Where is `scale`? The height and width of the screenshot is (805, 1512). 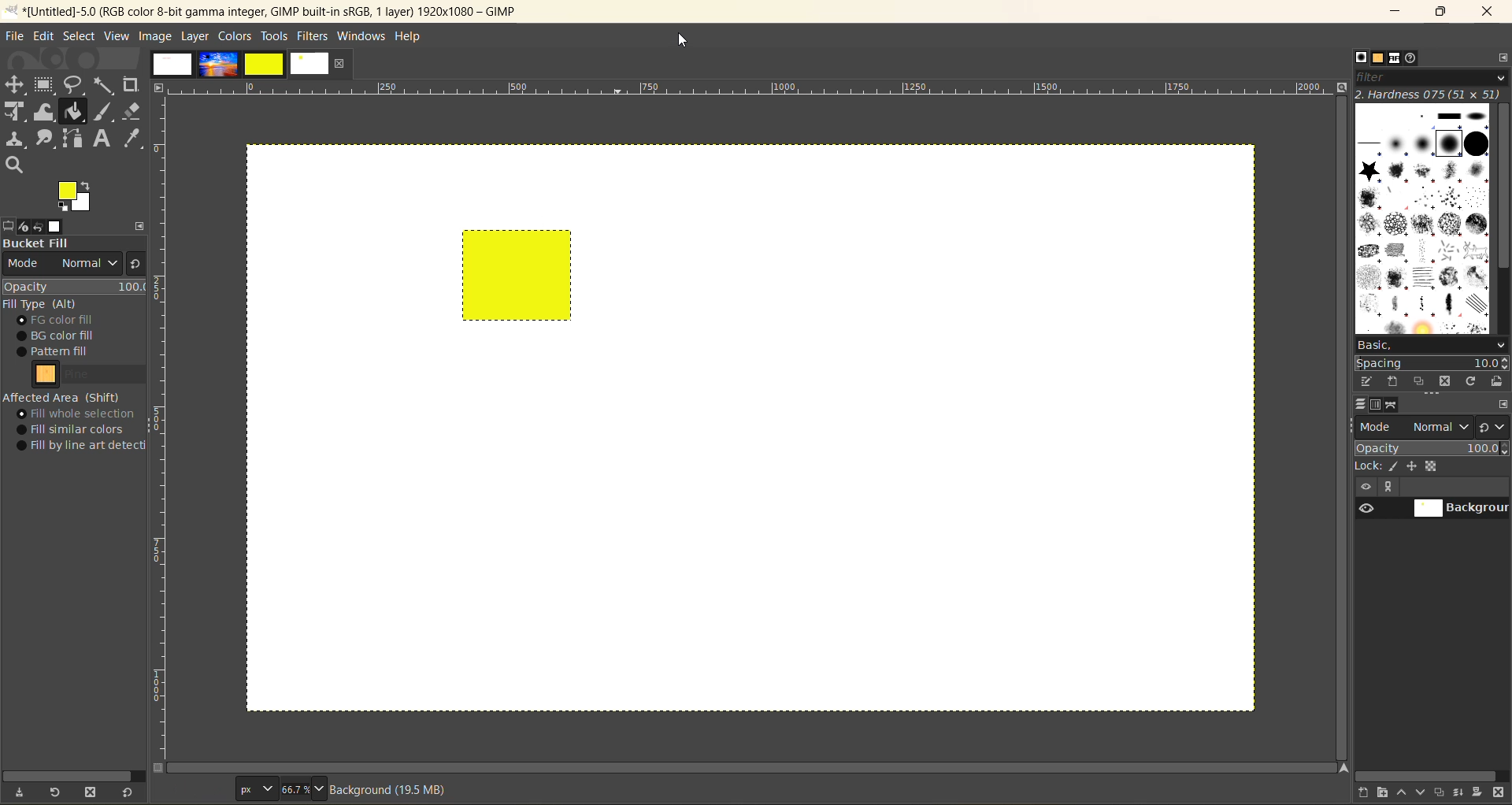 scale is located at coordinates (163, 430).